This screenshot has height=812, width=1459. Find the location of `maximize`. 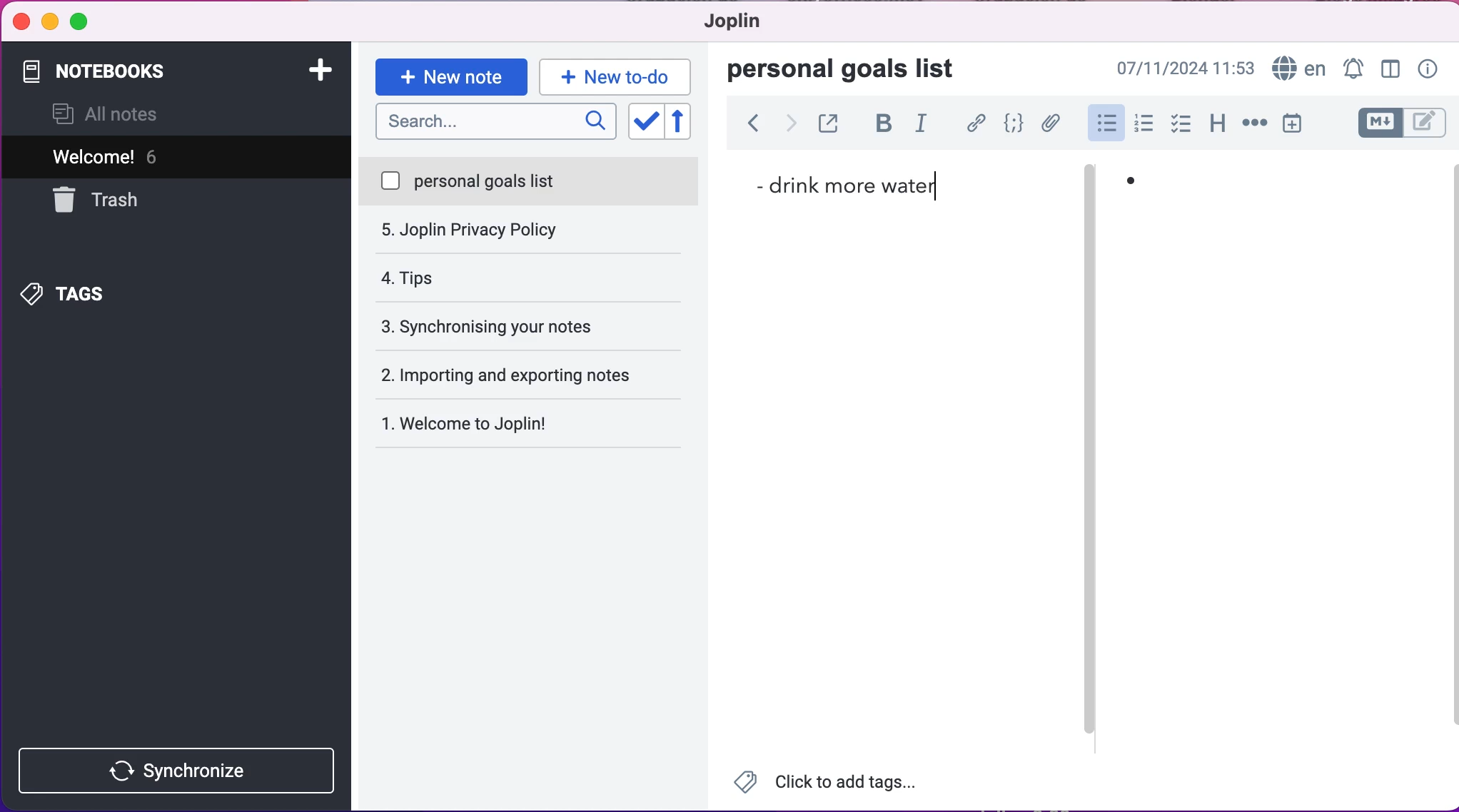

maximize is located at coordinates (85, 24).